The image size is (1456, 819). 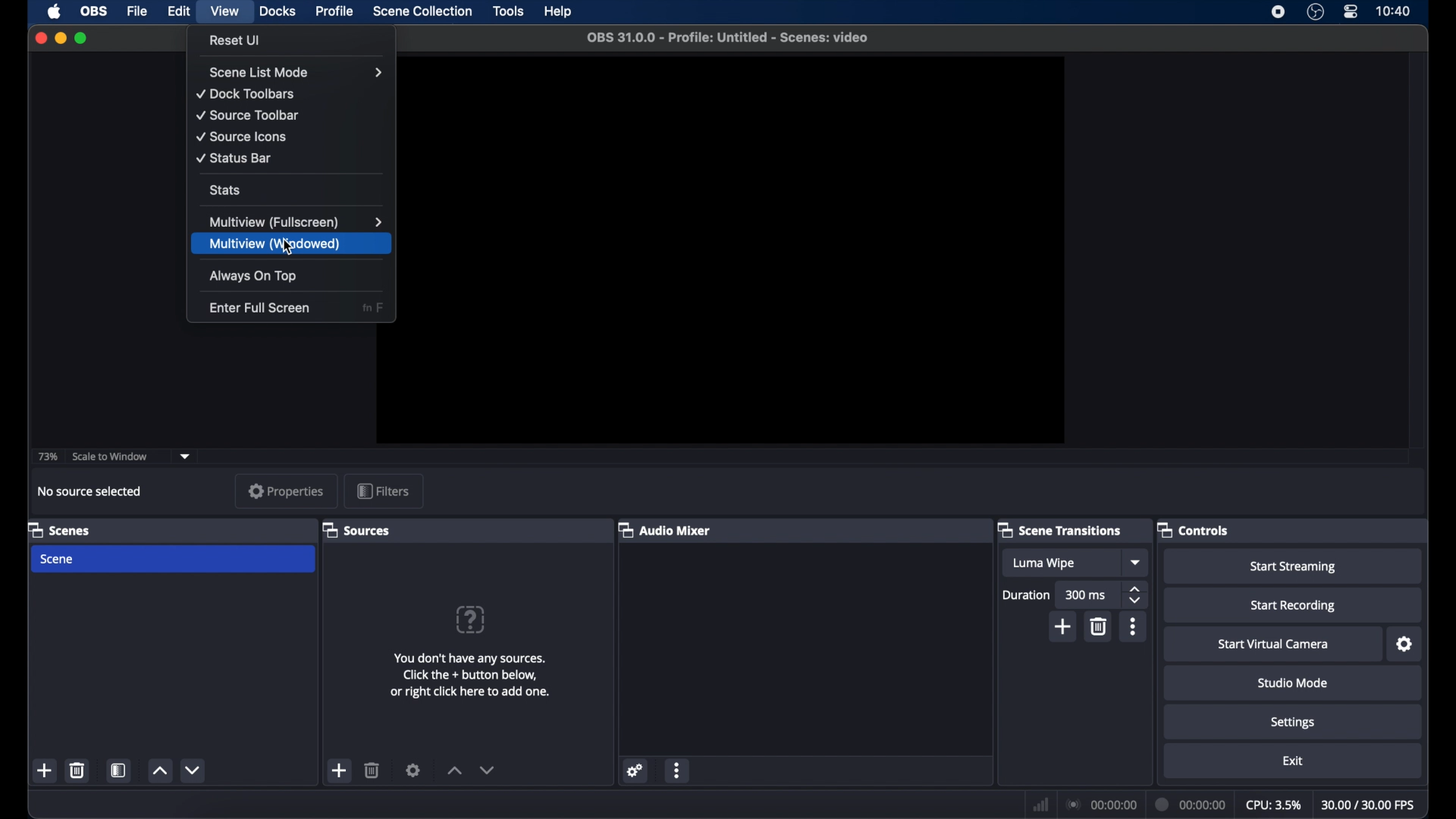 I want to click on help, so click(x=560, y=12).